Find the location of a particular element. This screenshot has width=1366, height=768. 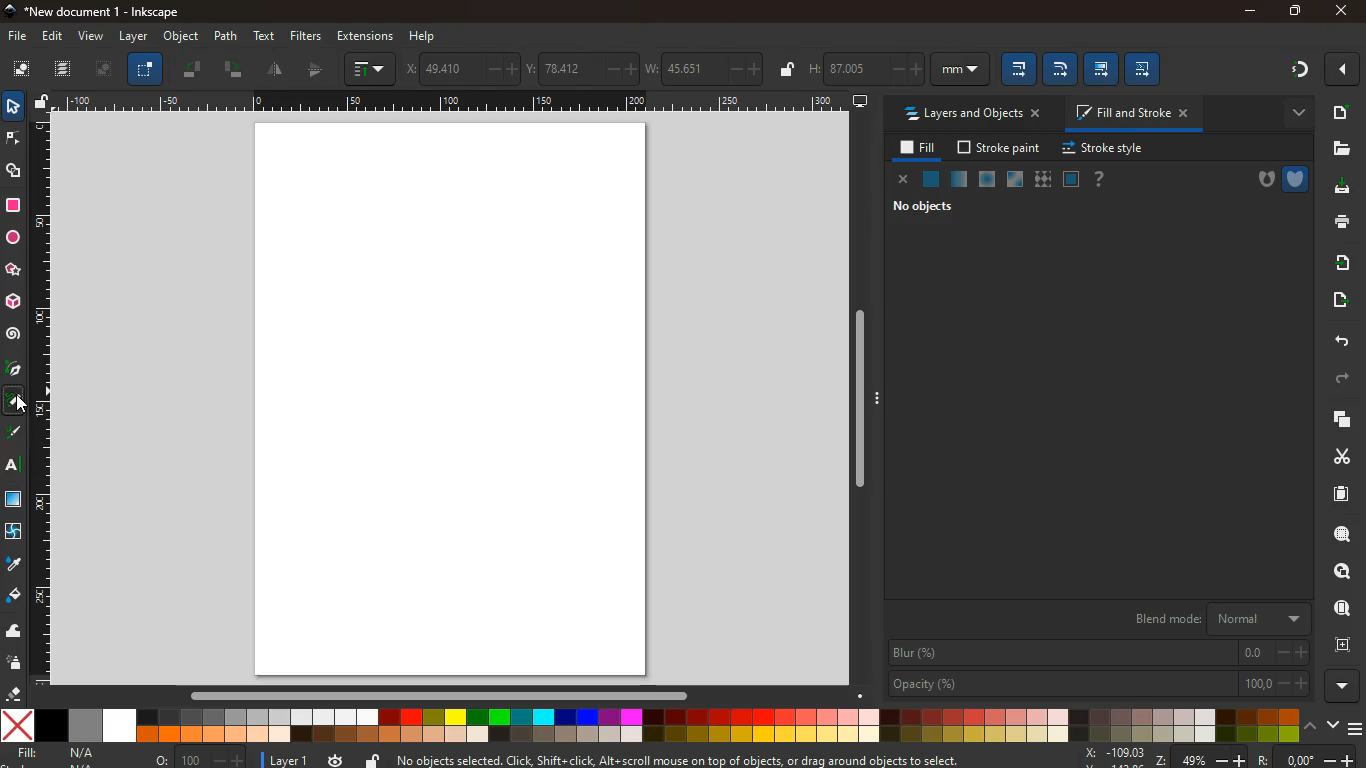

document is located at coordinates (1339, 112).